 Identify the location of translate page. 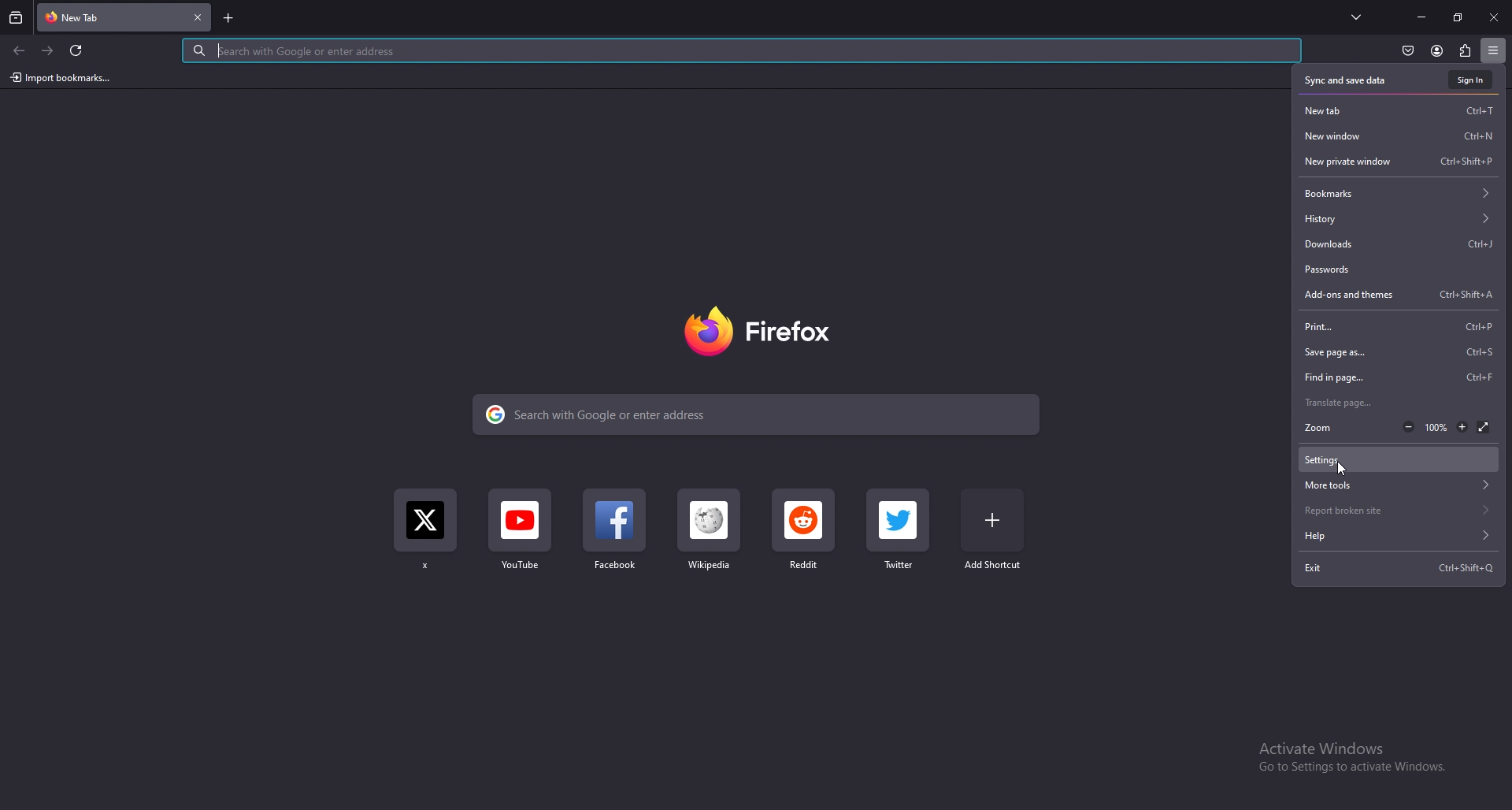
(1396, 403).